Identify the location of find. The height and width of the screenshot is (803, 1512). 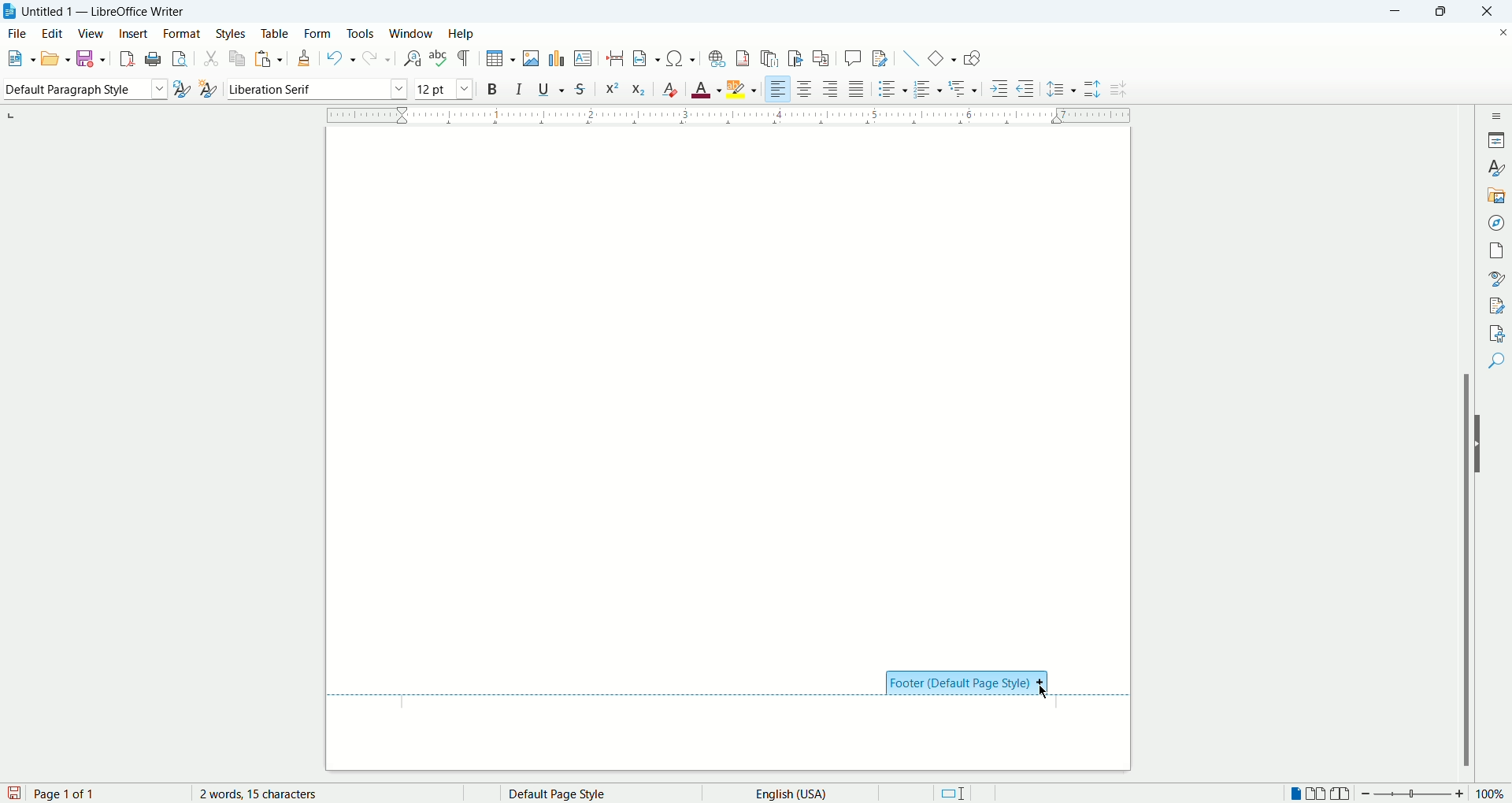
(1499, 360).